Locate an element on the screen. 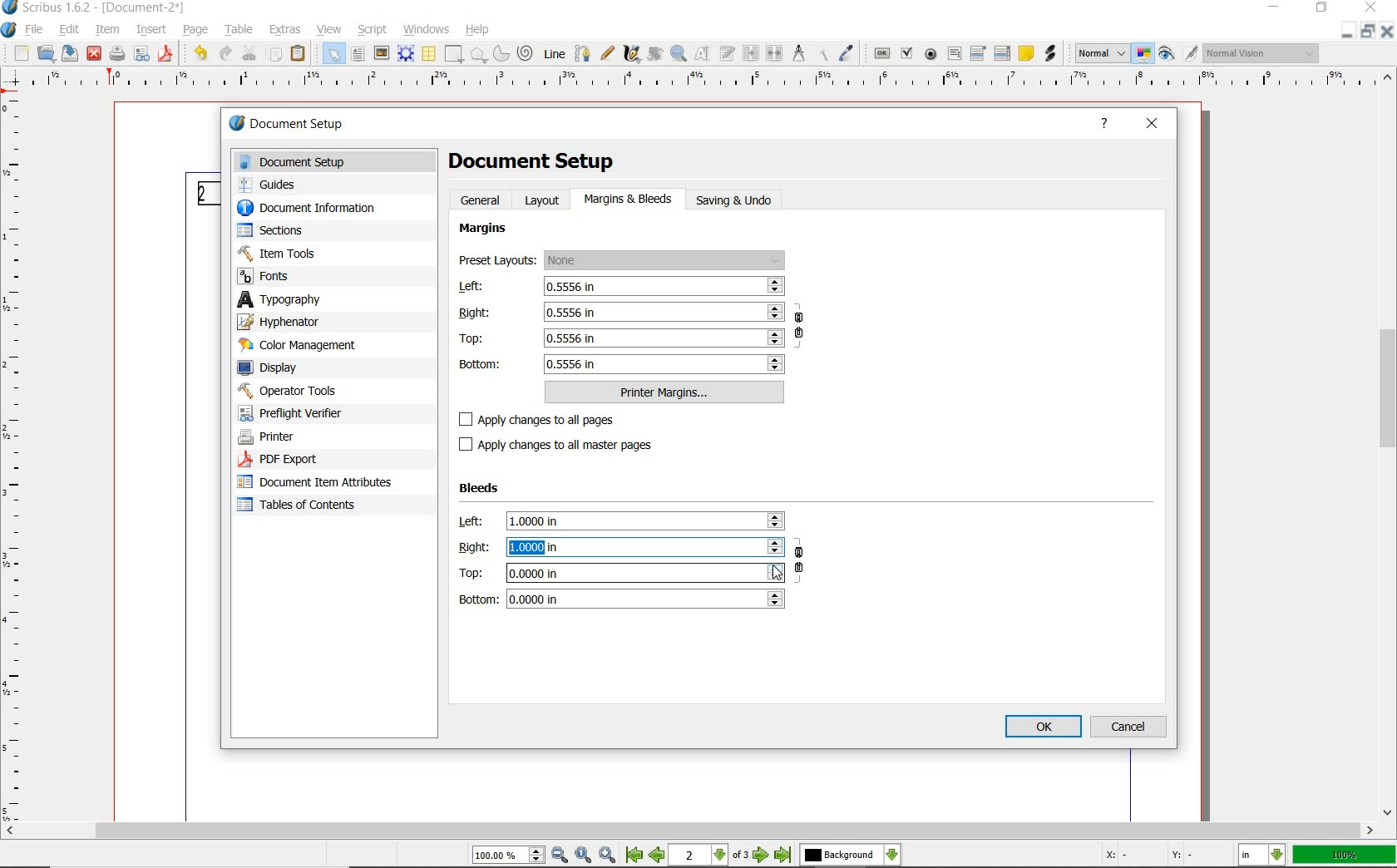  guides is located at coordinates (274, 186).